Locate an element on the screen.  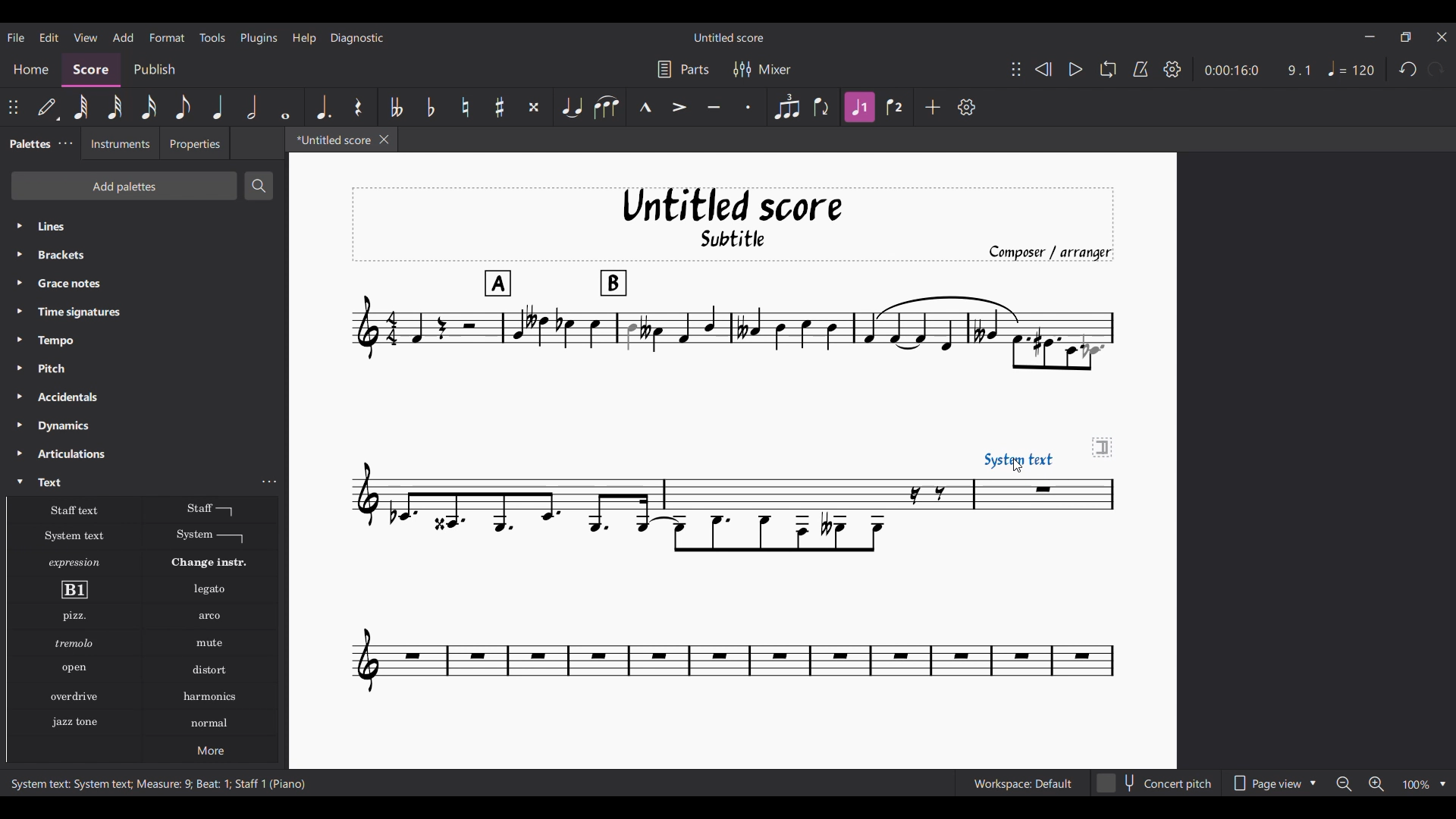
Metronome is located at coordinates (1141, 69).